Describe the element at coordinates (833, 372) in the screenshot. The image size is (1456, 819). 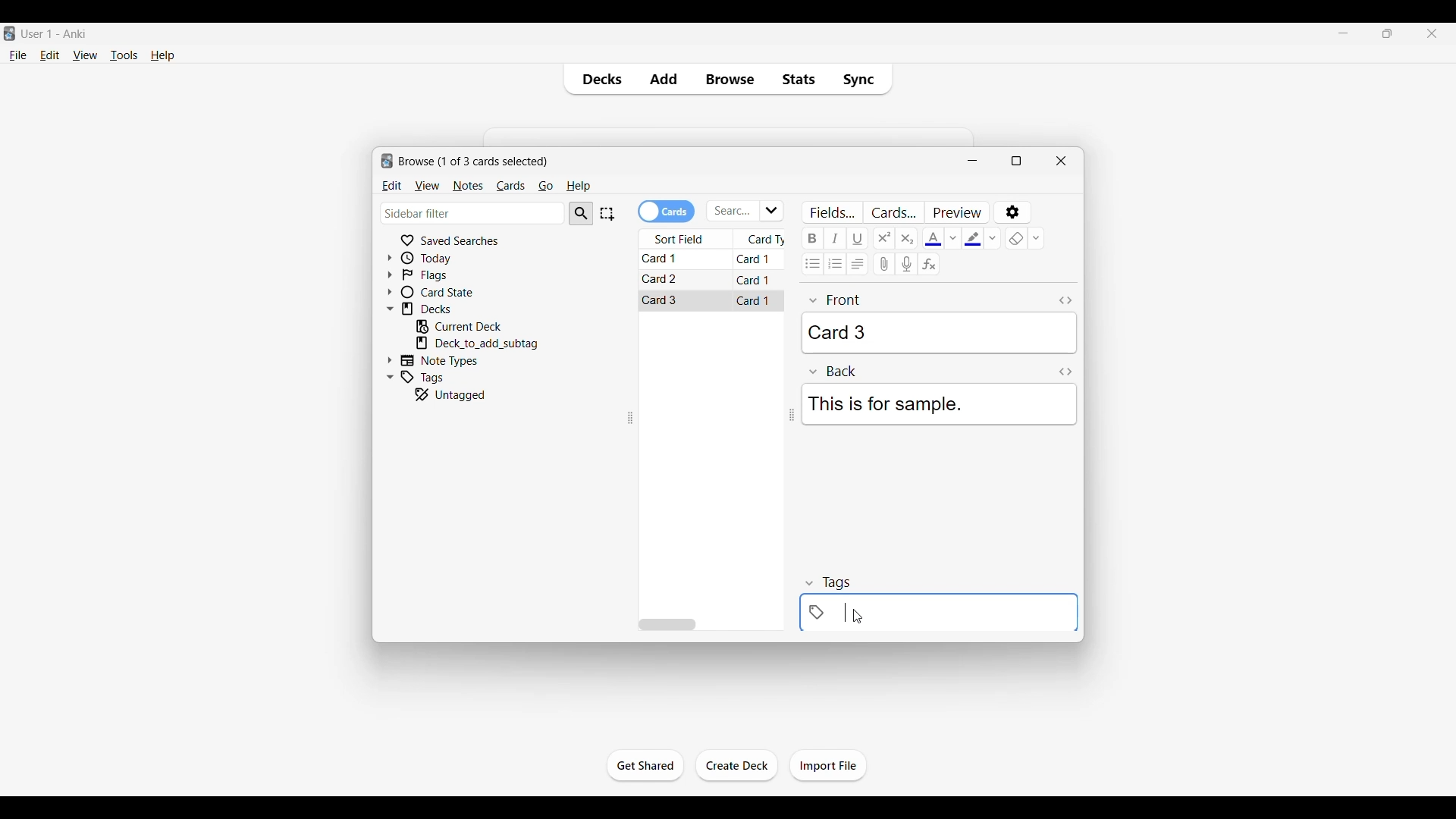
I see `Back` at that location.